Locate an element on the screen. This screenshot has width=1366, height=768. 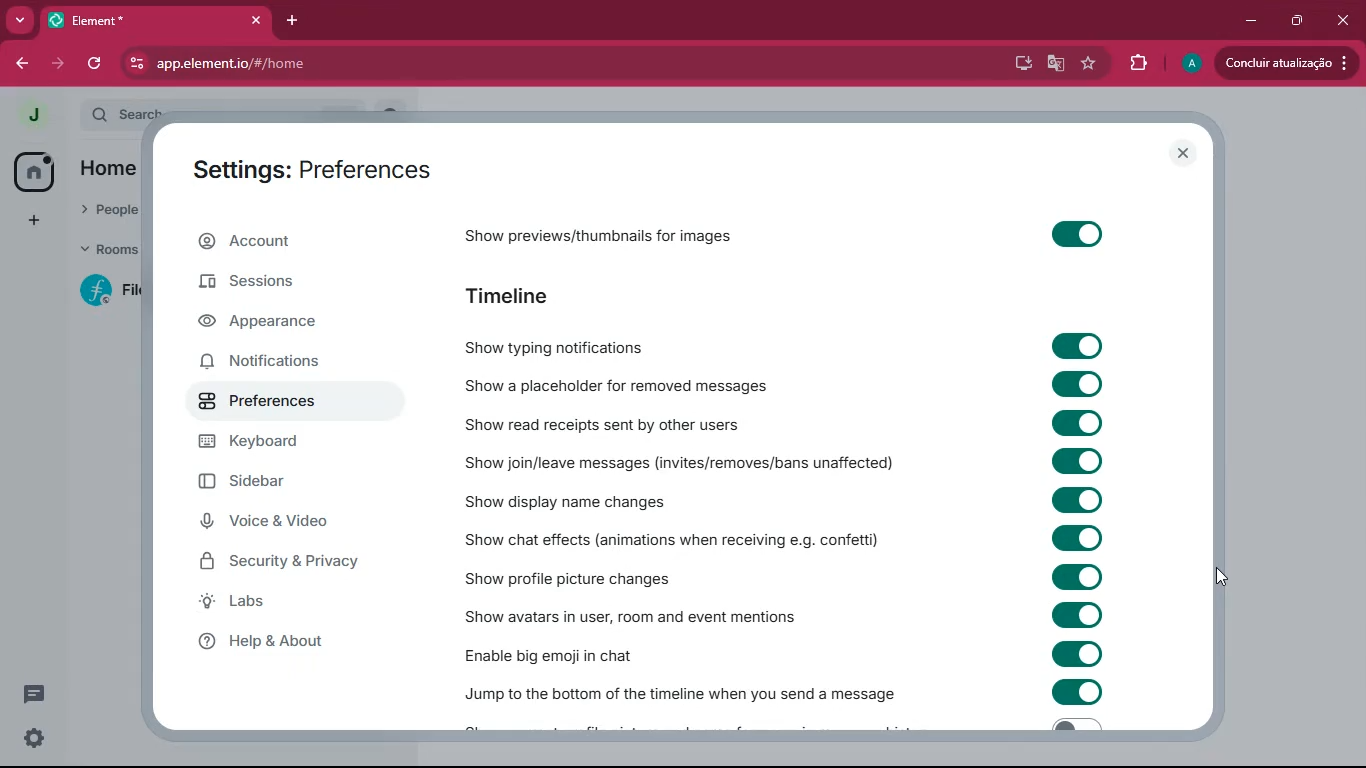
close is located at coordinates (1343, 19).